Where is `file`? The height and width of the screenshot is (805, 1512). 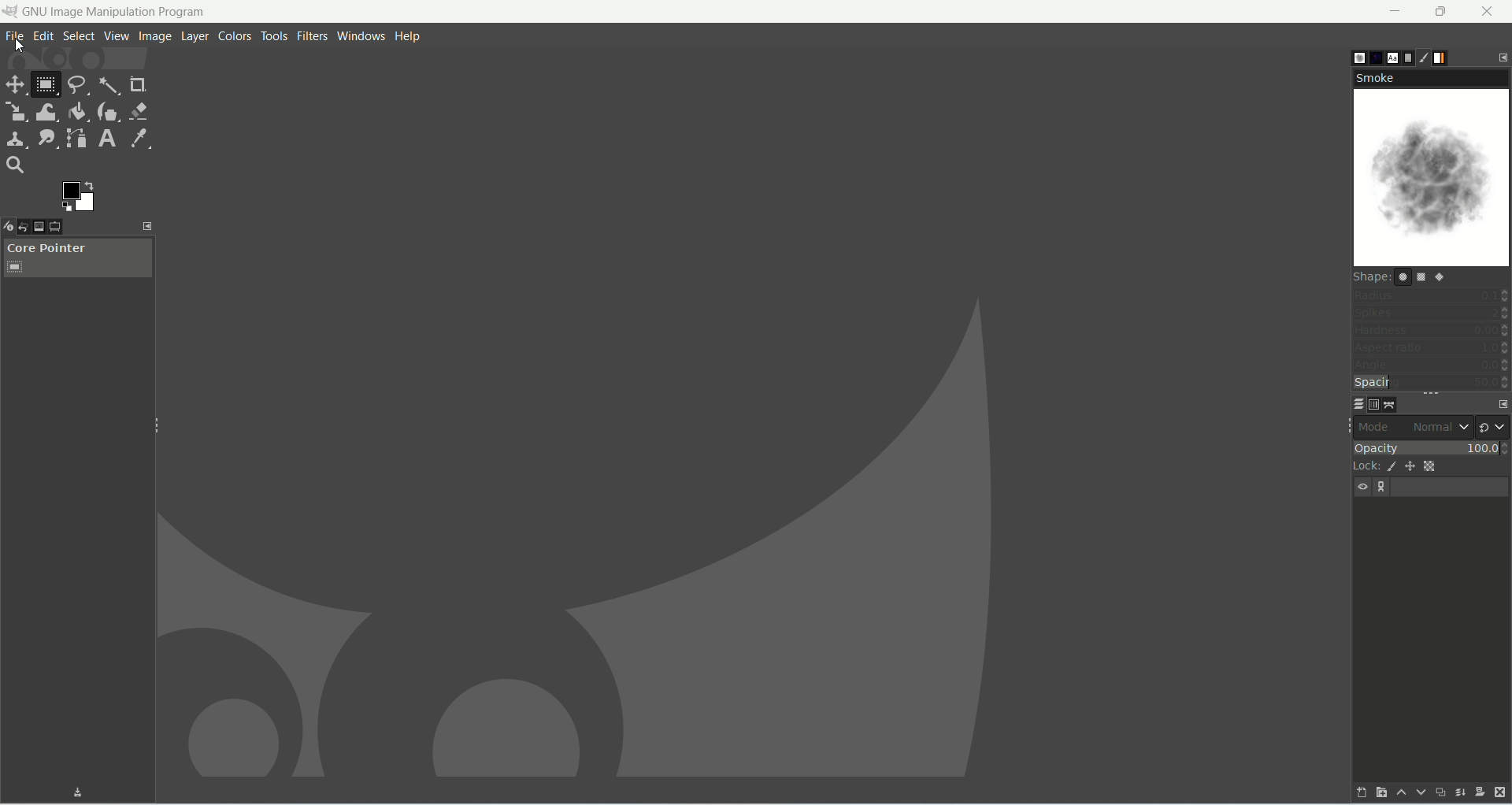 file is located at coordinates (16, 35).